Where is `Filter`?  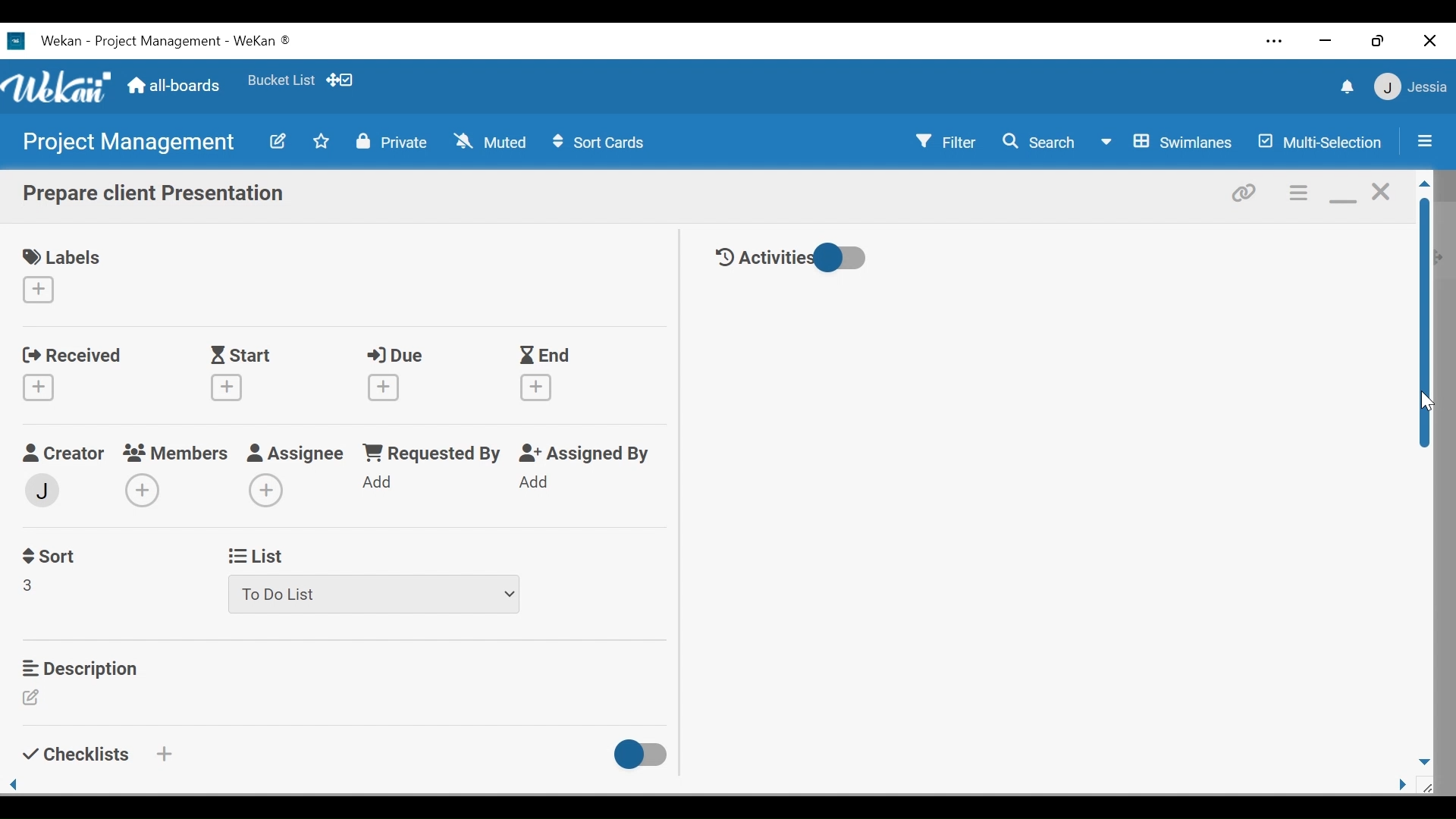
Filter is located at coordinates (946, 140).